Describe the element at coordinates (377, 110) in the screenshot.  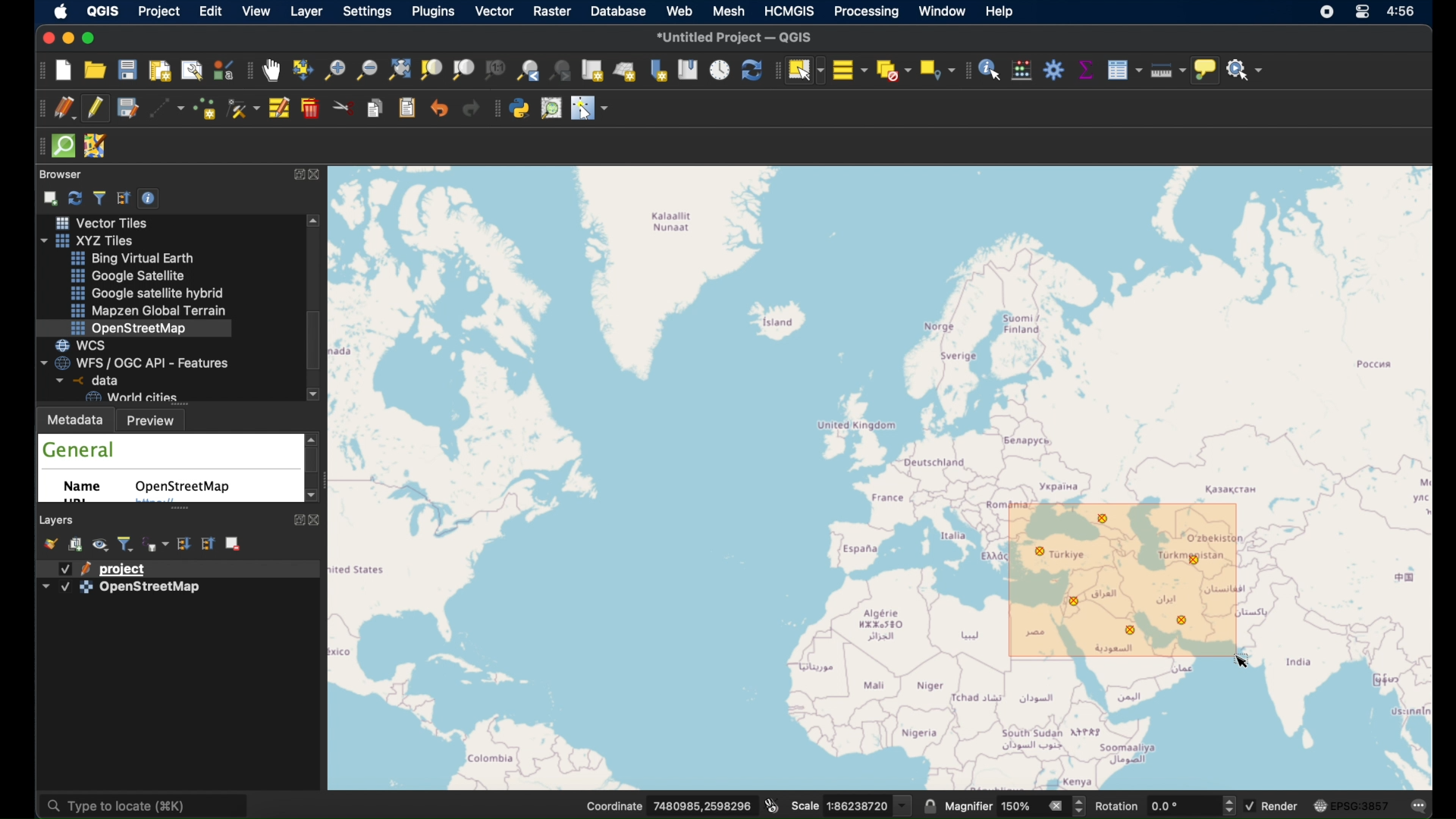
I see `copy features` at that location.